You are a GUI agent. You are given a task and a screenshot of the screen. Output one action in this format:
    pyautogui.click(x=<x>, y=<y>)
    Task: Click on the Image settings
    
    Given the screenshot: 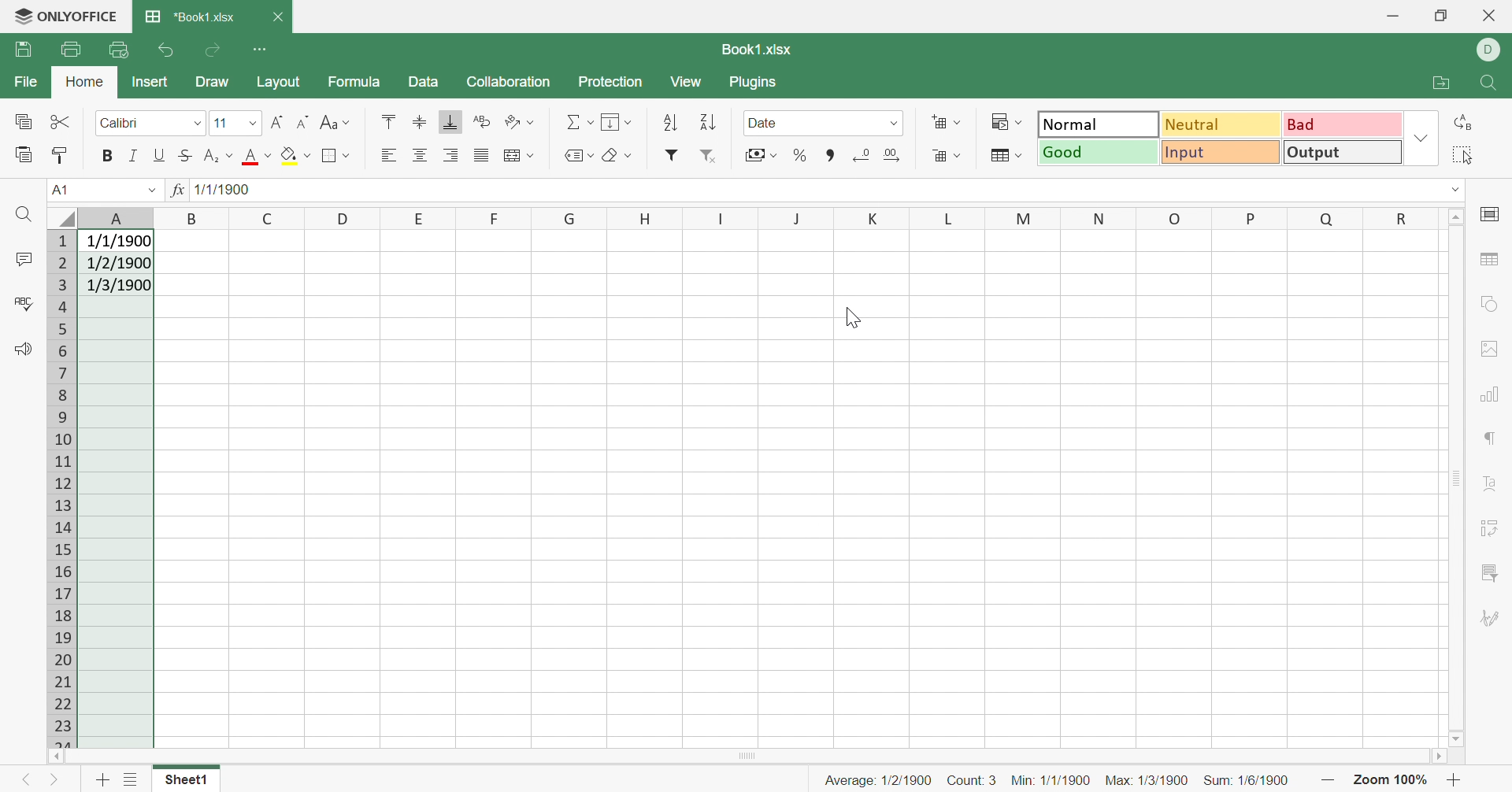 What is the action you would take?
    pyautogui.click(x=1489, y=349)
    